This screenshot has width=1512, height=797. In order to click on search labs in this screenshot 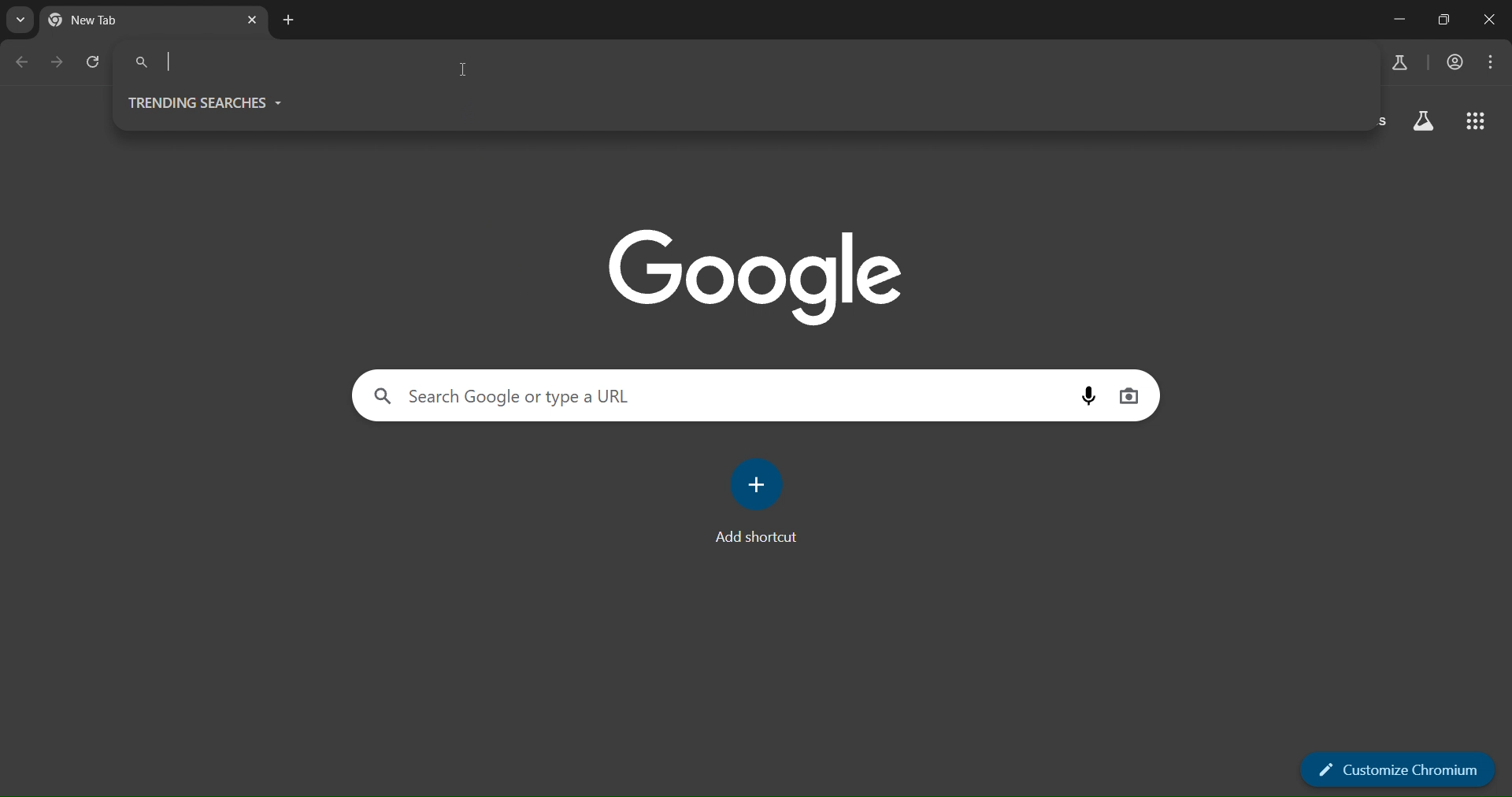, I will do `click(1425, 120)`.